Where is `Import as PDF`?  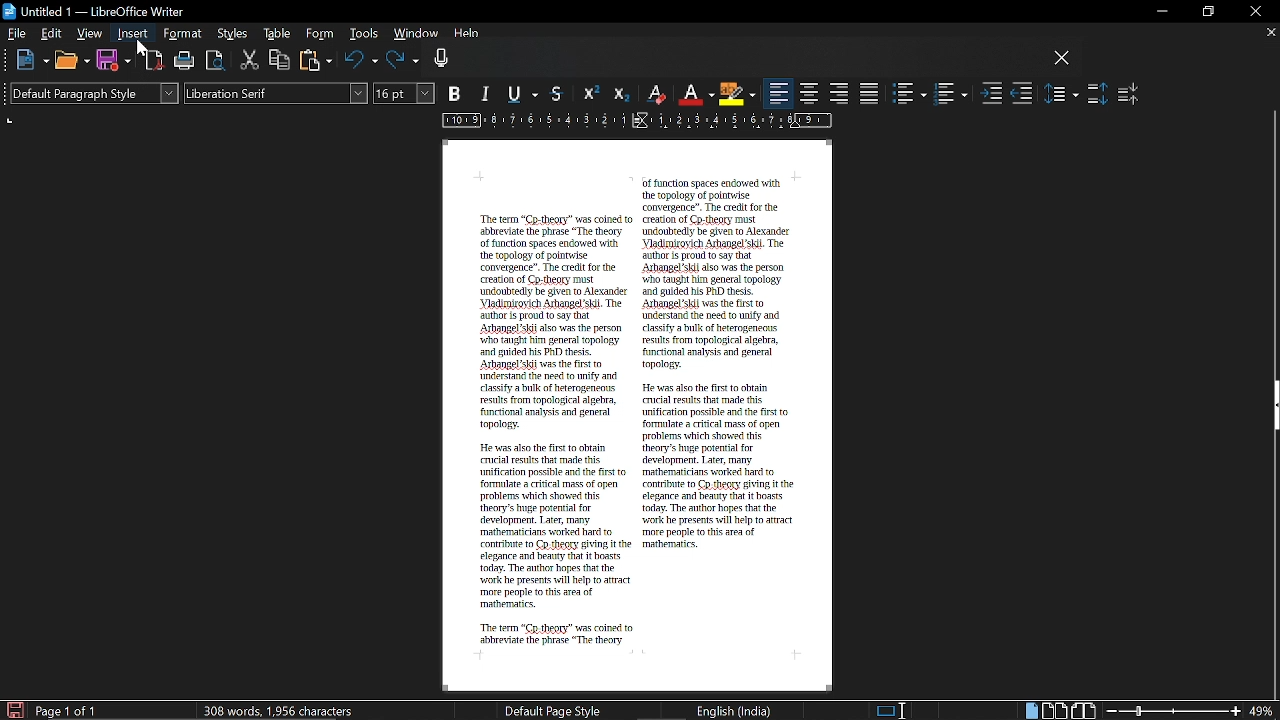
Import as PDF is located at coordinates (155, 61).